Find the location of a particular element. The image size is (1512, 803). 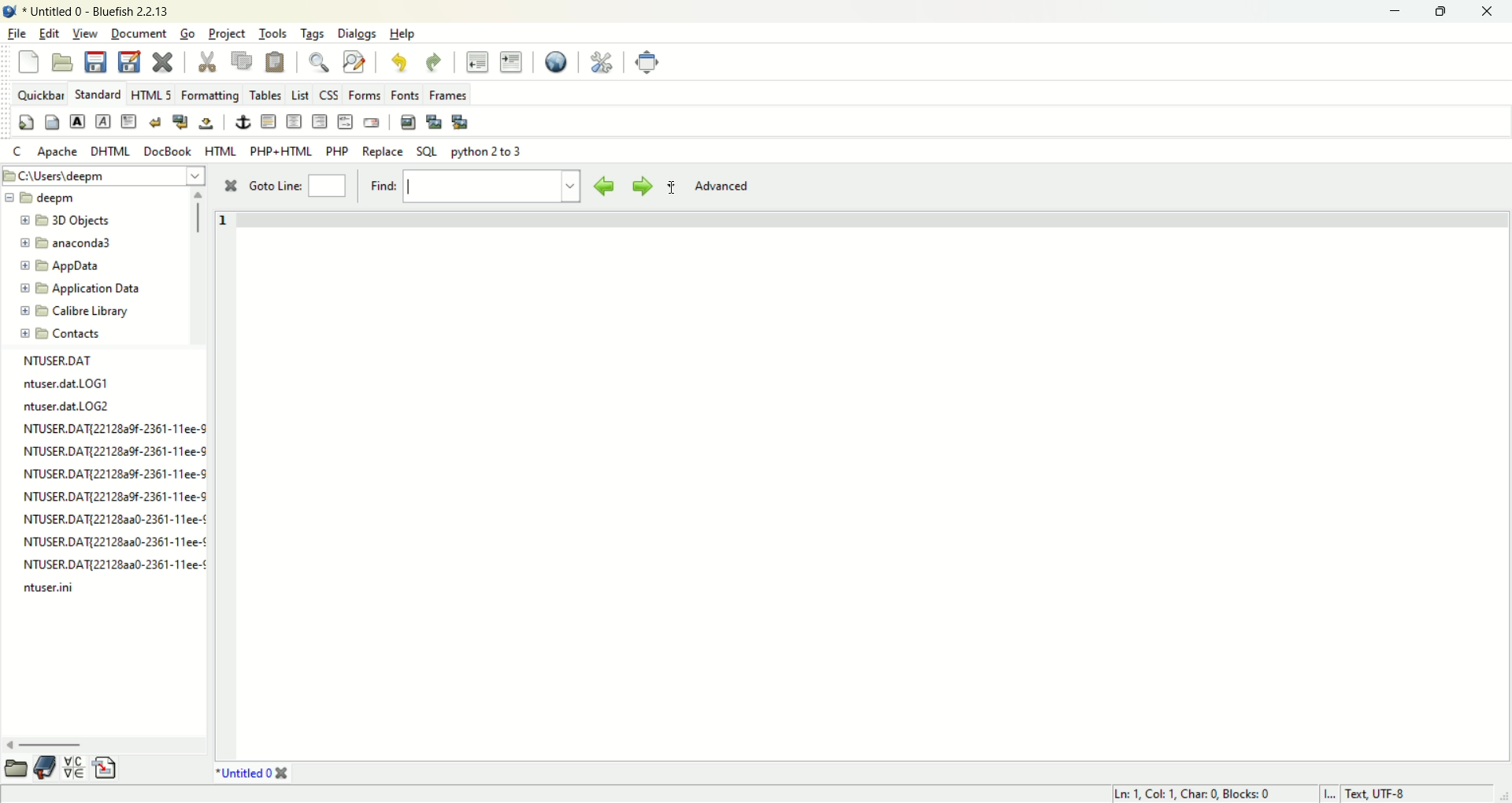

NTUSER.DAT{221282a0-2361-11ee-¢ is located at coordinates (114, 522).